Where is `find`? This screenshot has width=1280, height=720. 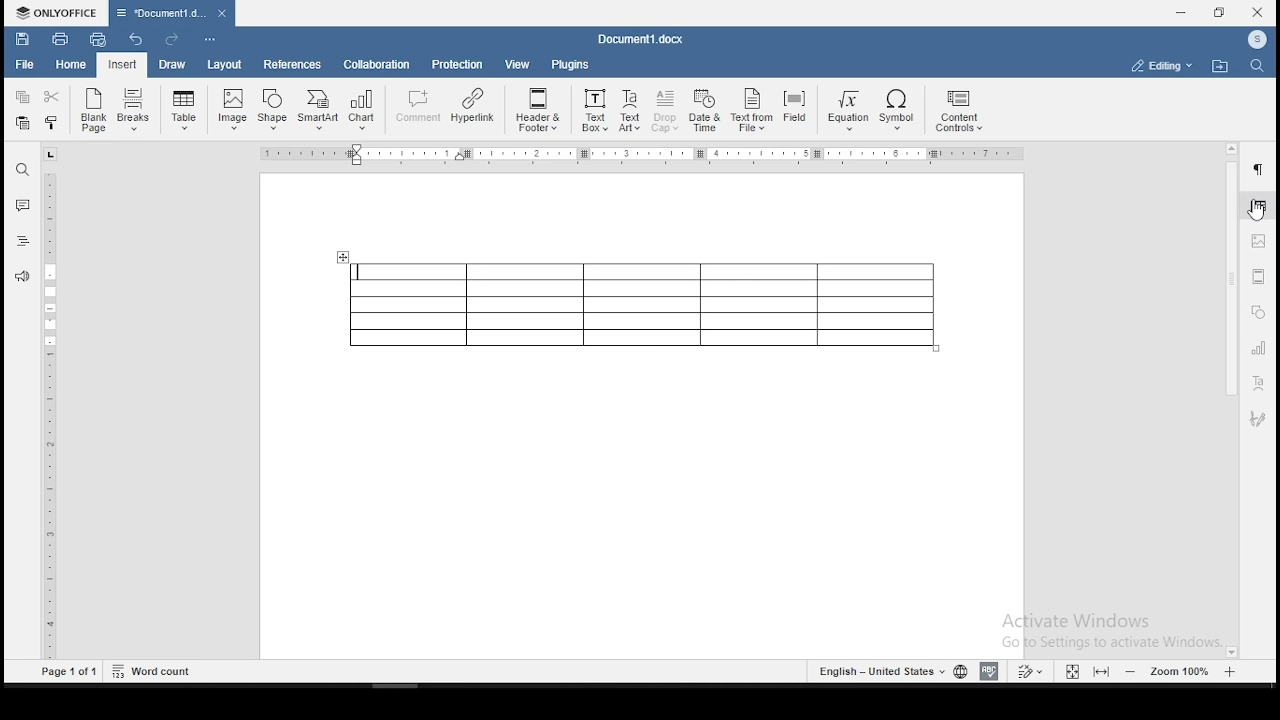
find is located at coordinates (23, 168).